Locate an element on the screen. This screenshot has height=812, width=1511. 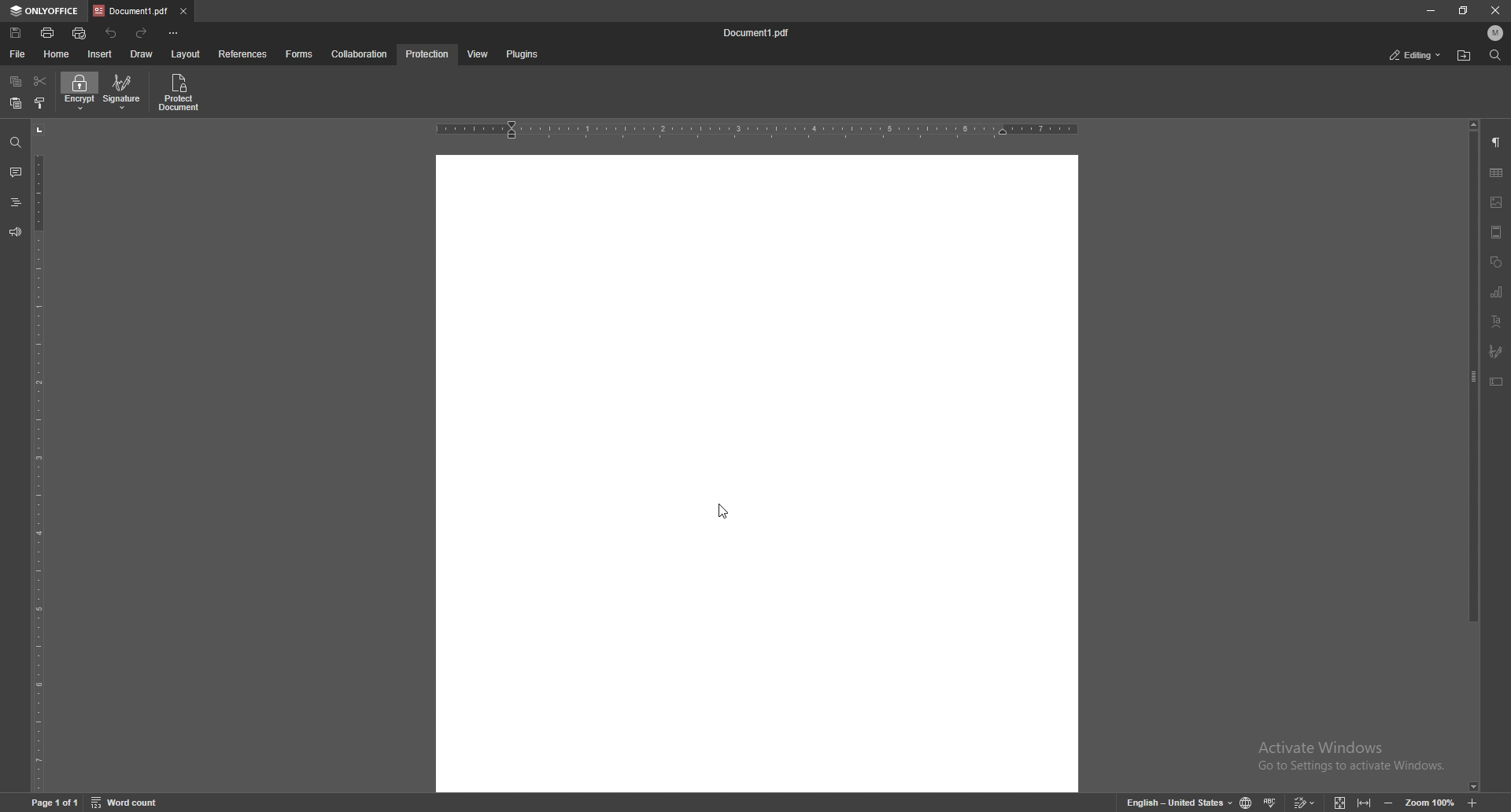
redo is located at coordinates (144, 34).